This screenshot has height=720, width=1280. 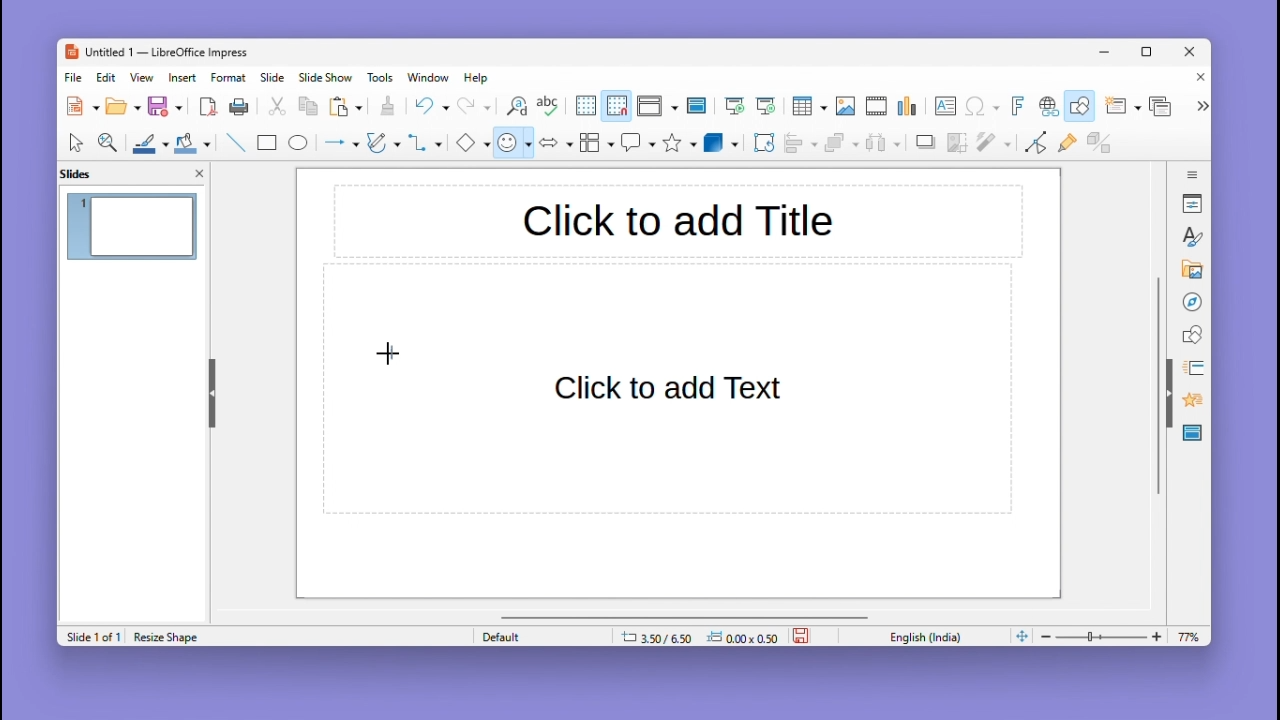 I want to click on new, so click(x=84, y=106).